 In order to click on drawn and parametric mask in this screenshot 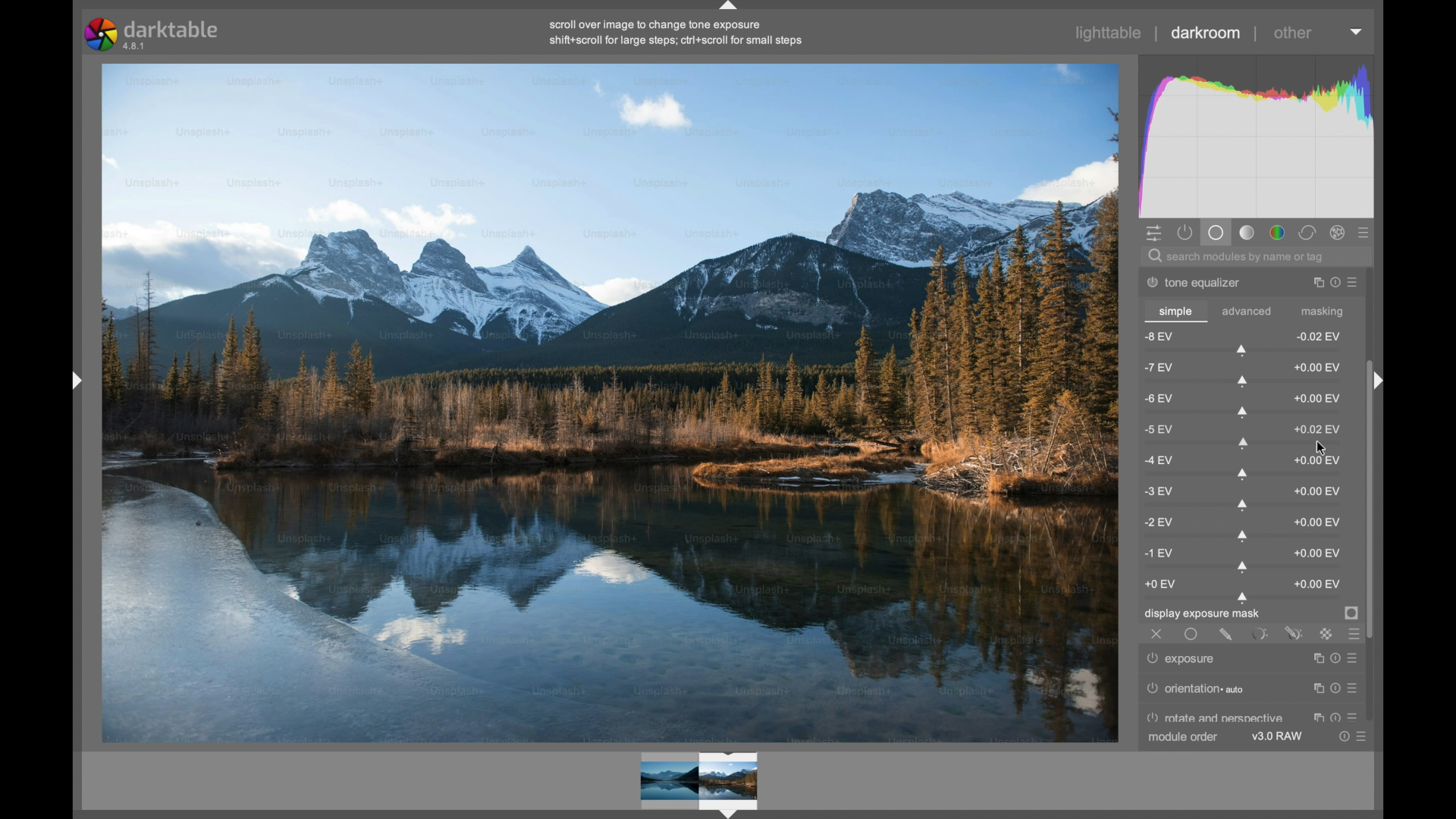, I will do `click(1292, 634)`.